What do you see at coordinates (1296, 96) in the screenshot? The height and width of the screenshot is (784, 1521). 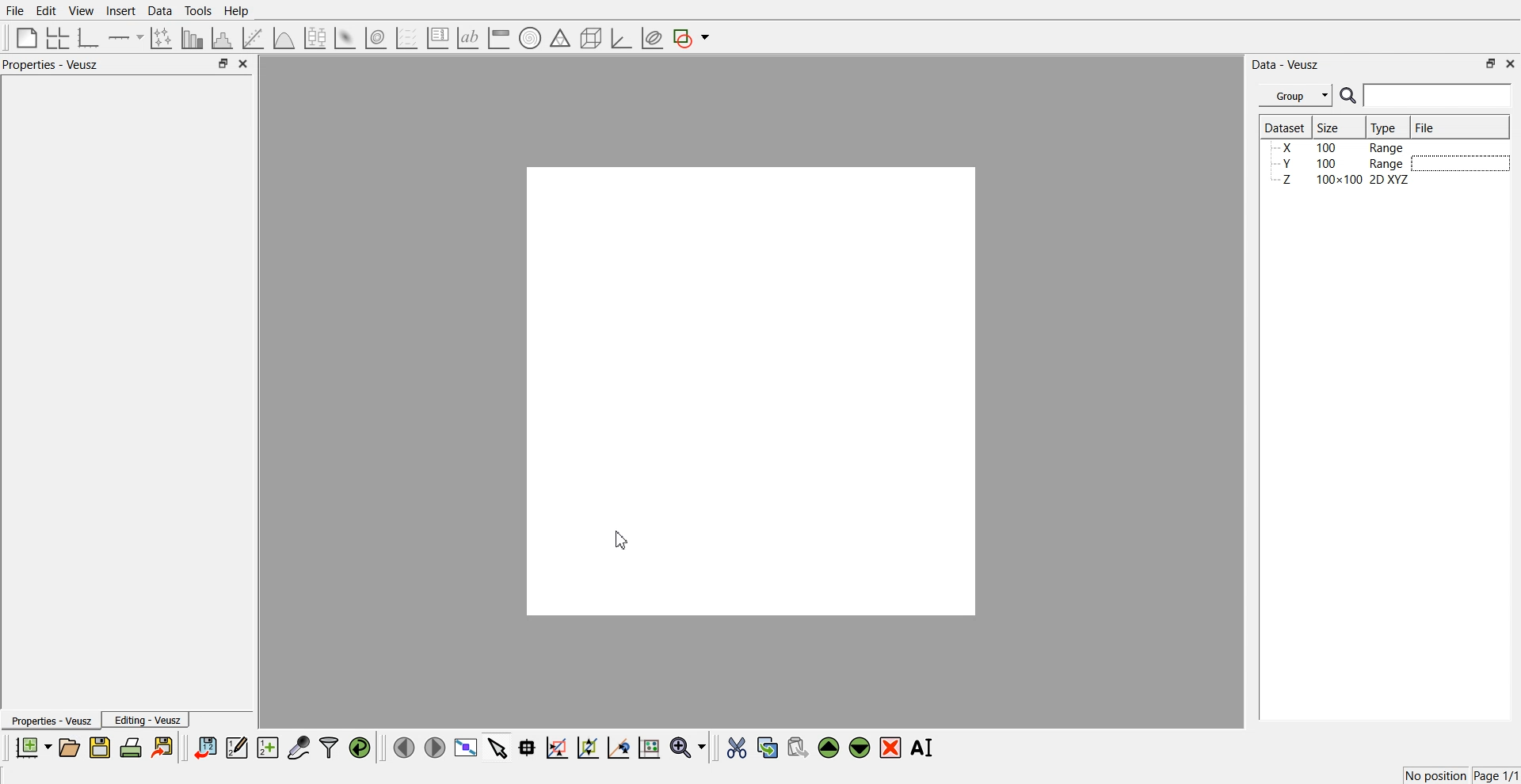 I see `Group` at bounding box center [1296, 96].